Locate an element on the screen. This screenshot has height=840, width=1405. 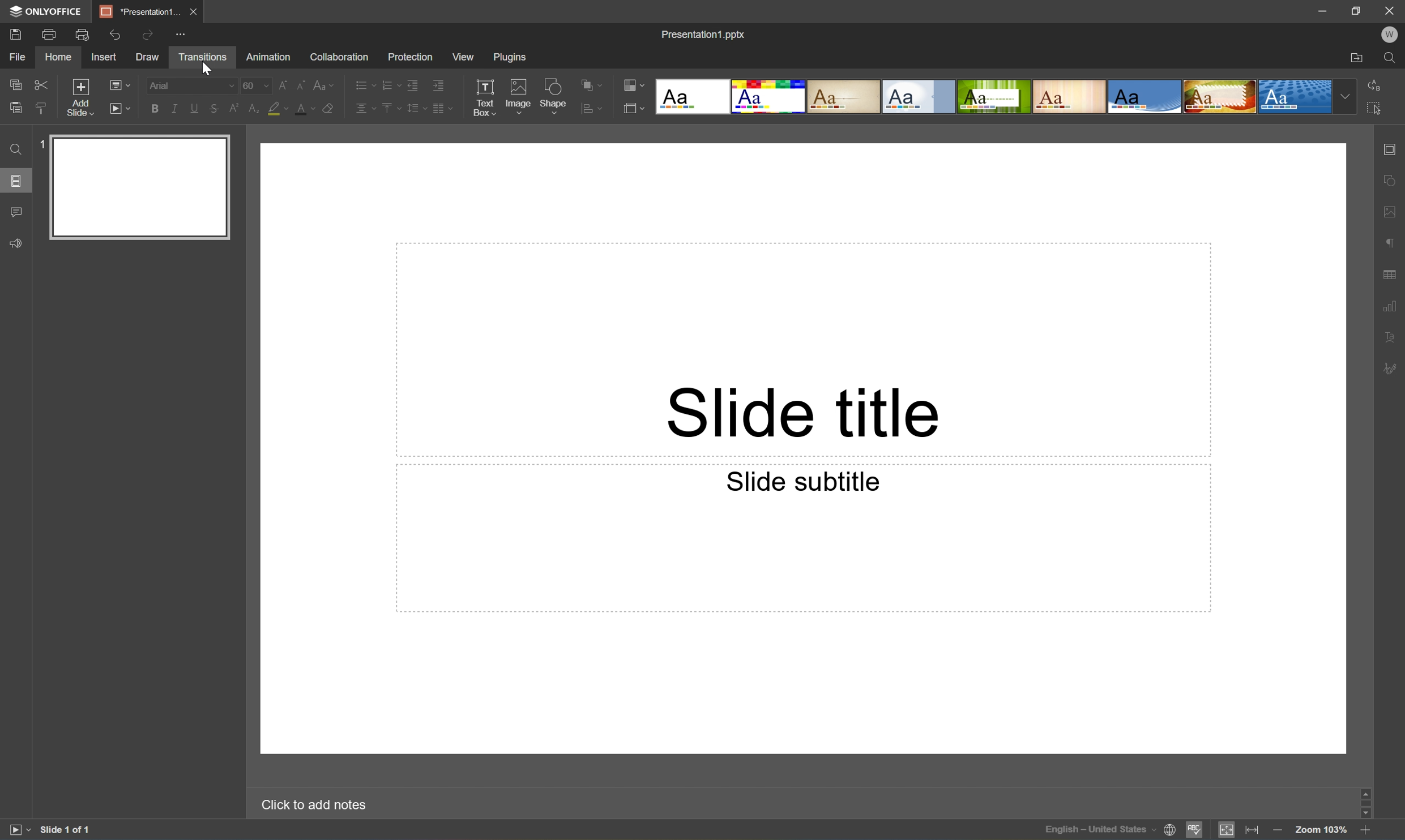
Clear style is located at coordinates (330, 108).